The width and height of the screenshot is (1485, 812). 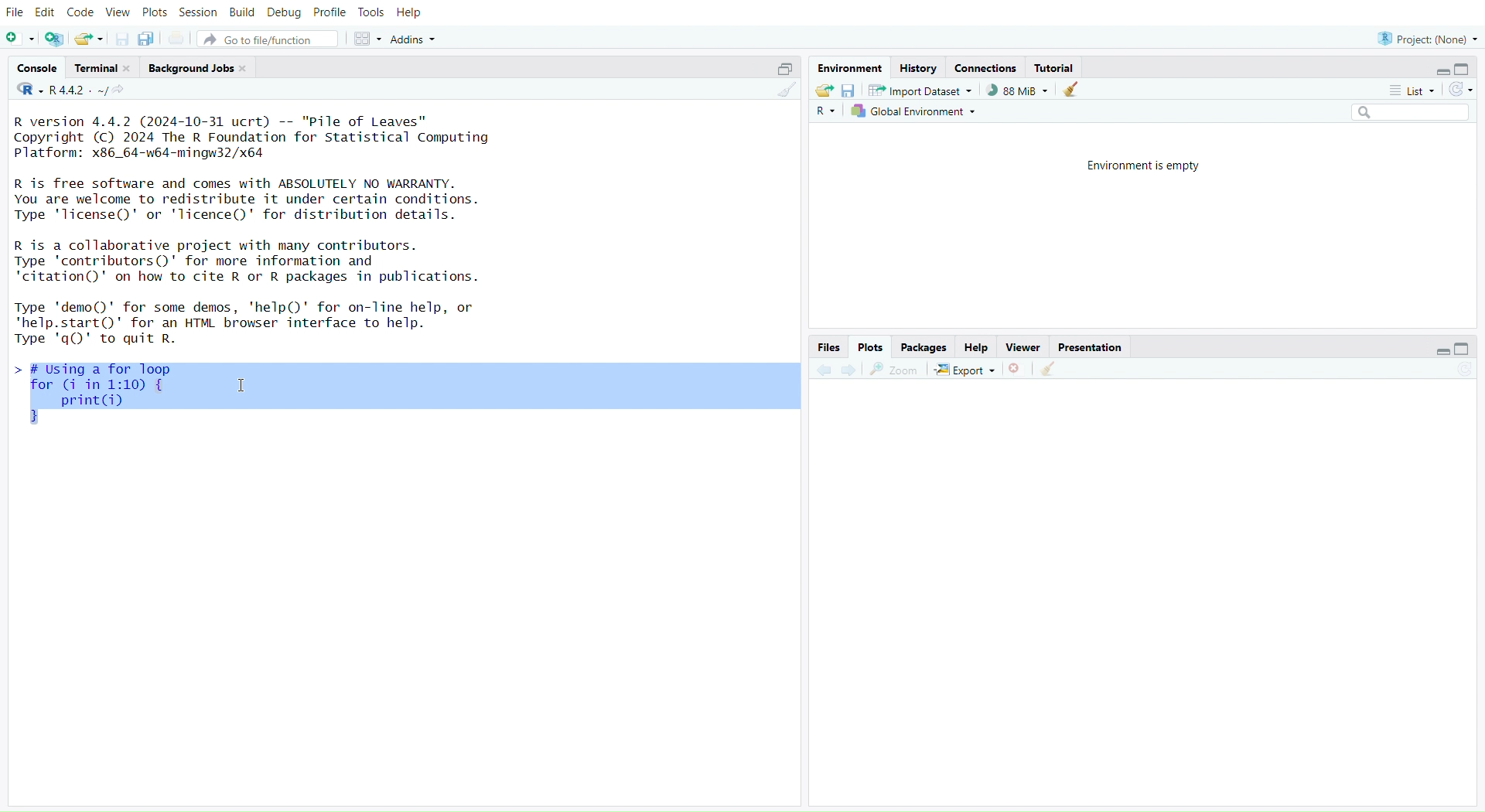 What do you see at coordinates (1016, 370) in the screenshot?
I see `remove the current plot` at bounding box center [1016, 370].